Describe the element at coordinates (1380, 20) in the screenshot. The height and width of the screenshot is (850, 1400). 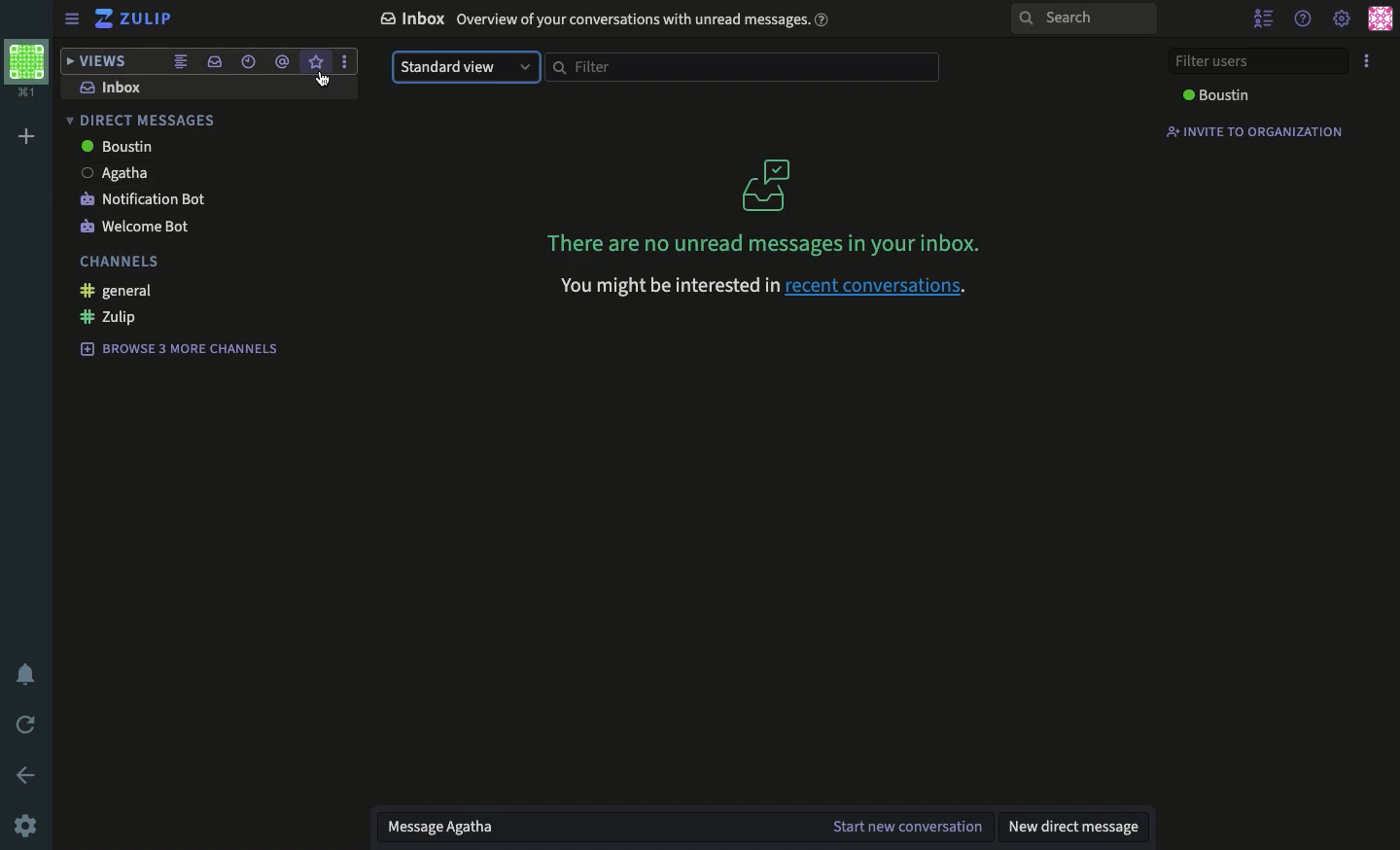
I see `user profile` at that location.